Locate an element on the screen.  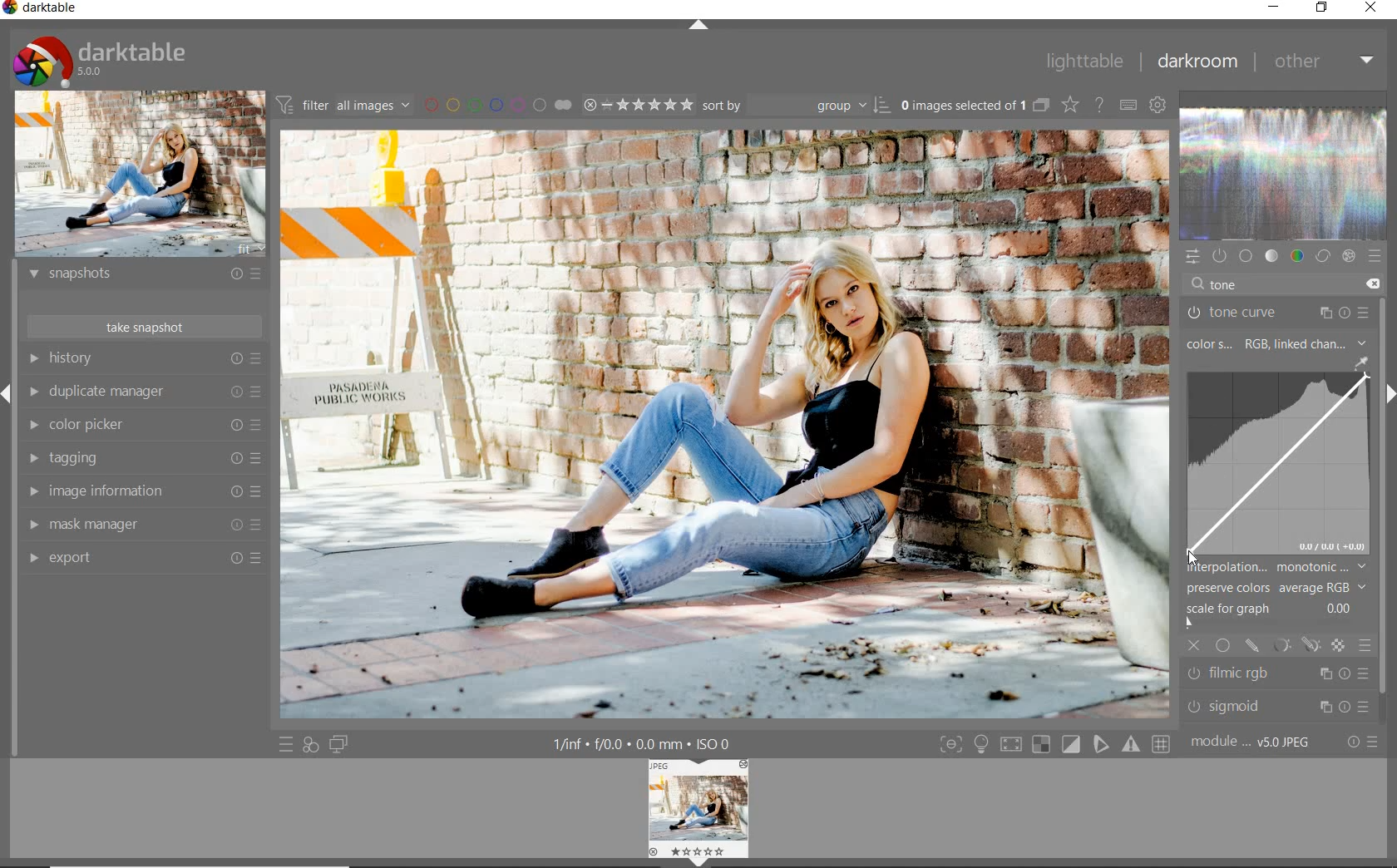
presets is located at coordinates (1376, 258).